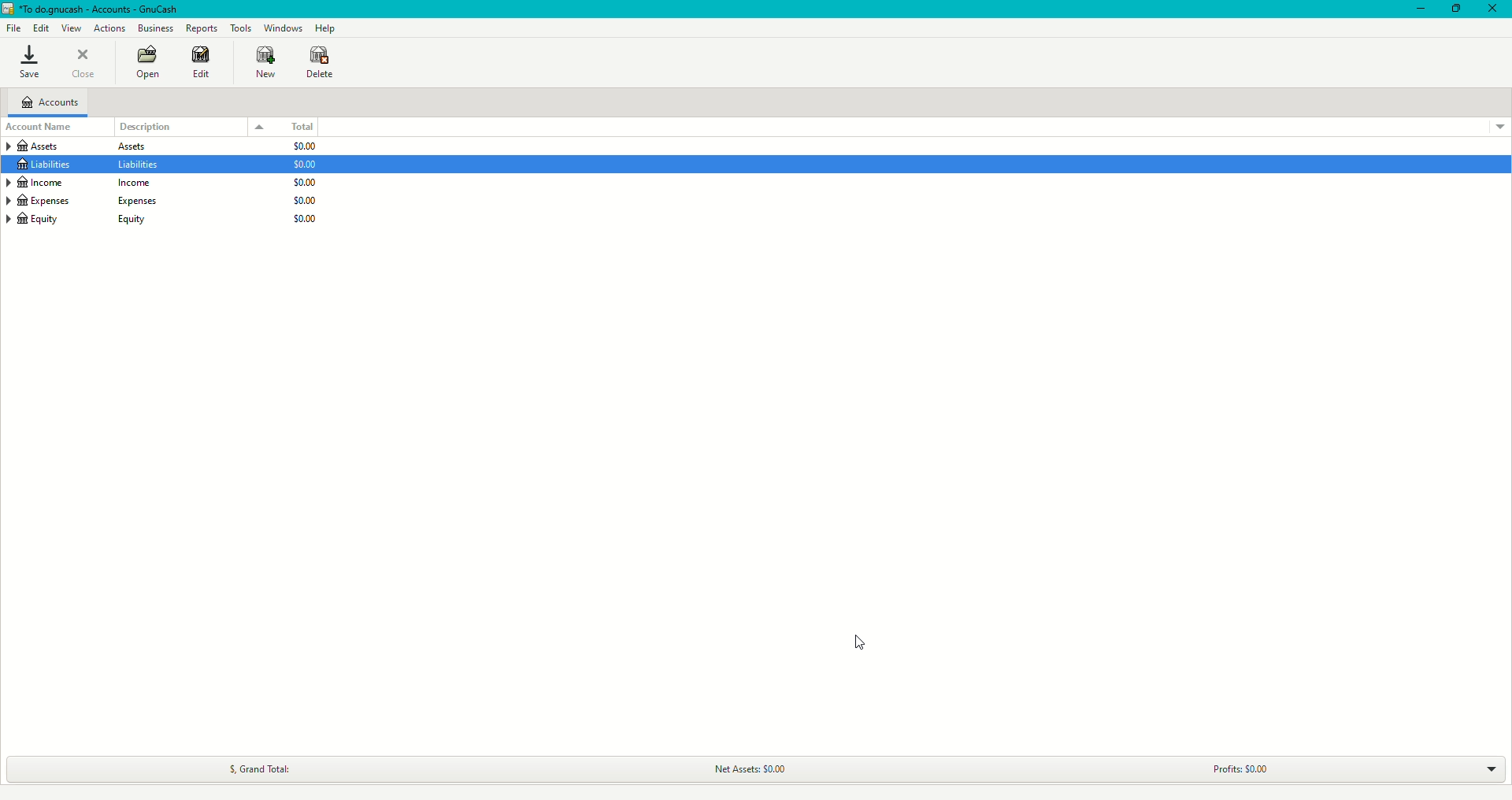  Describe the element at coordinates (85, 203) in the screenshot. I see `Expenses` at that location.